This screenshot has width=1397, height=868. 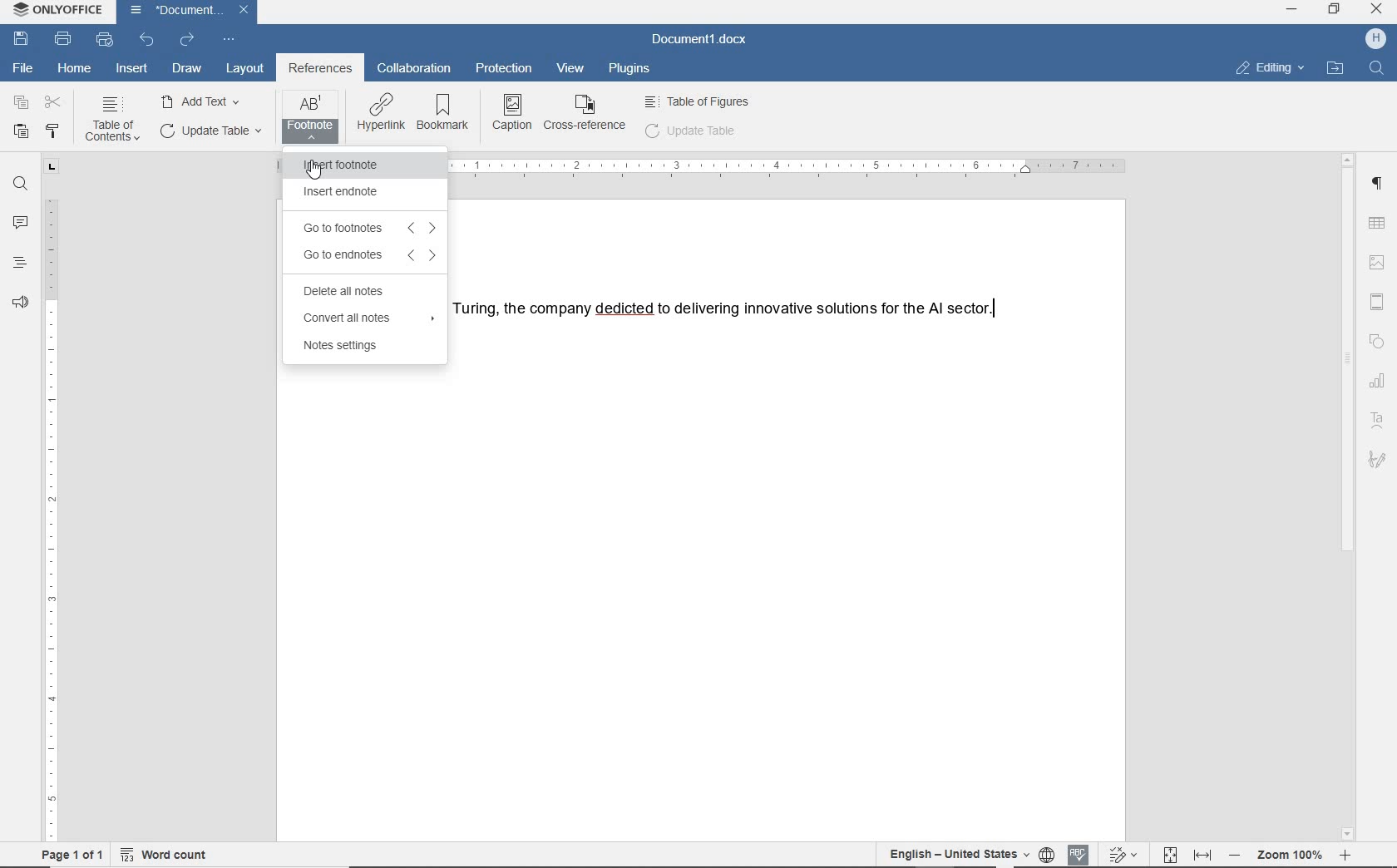 What do you see at coordinates (691, 133) in the screenshot?
I see `update table` at bounding box center [691, 133].